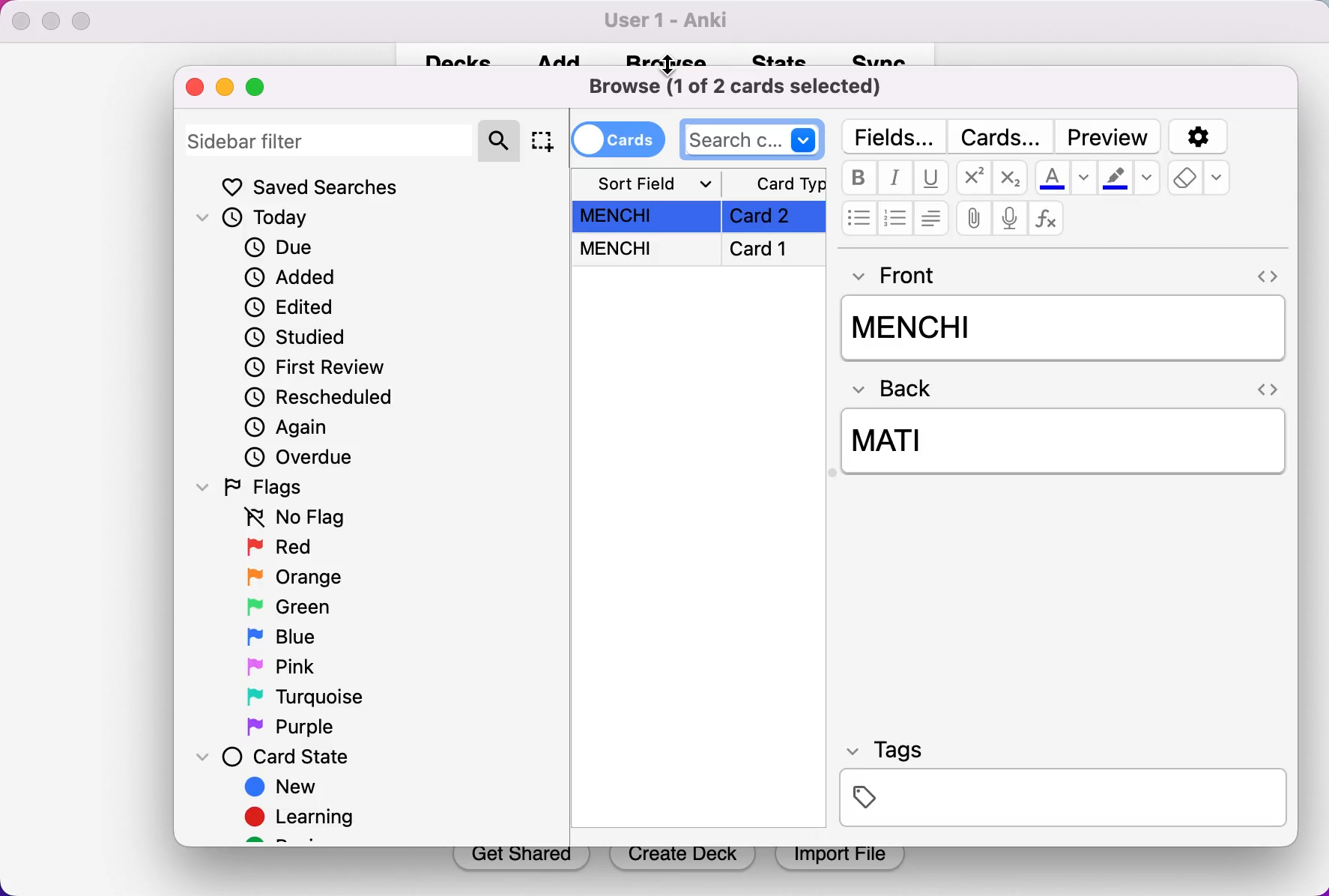 The width and height of the screenshot is (1329, 896). I want to click on bold text, so click(857, 178).